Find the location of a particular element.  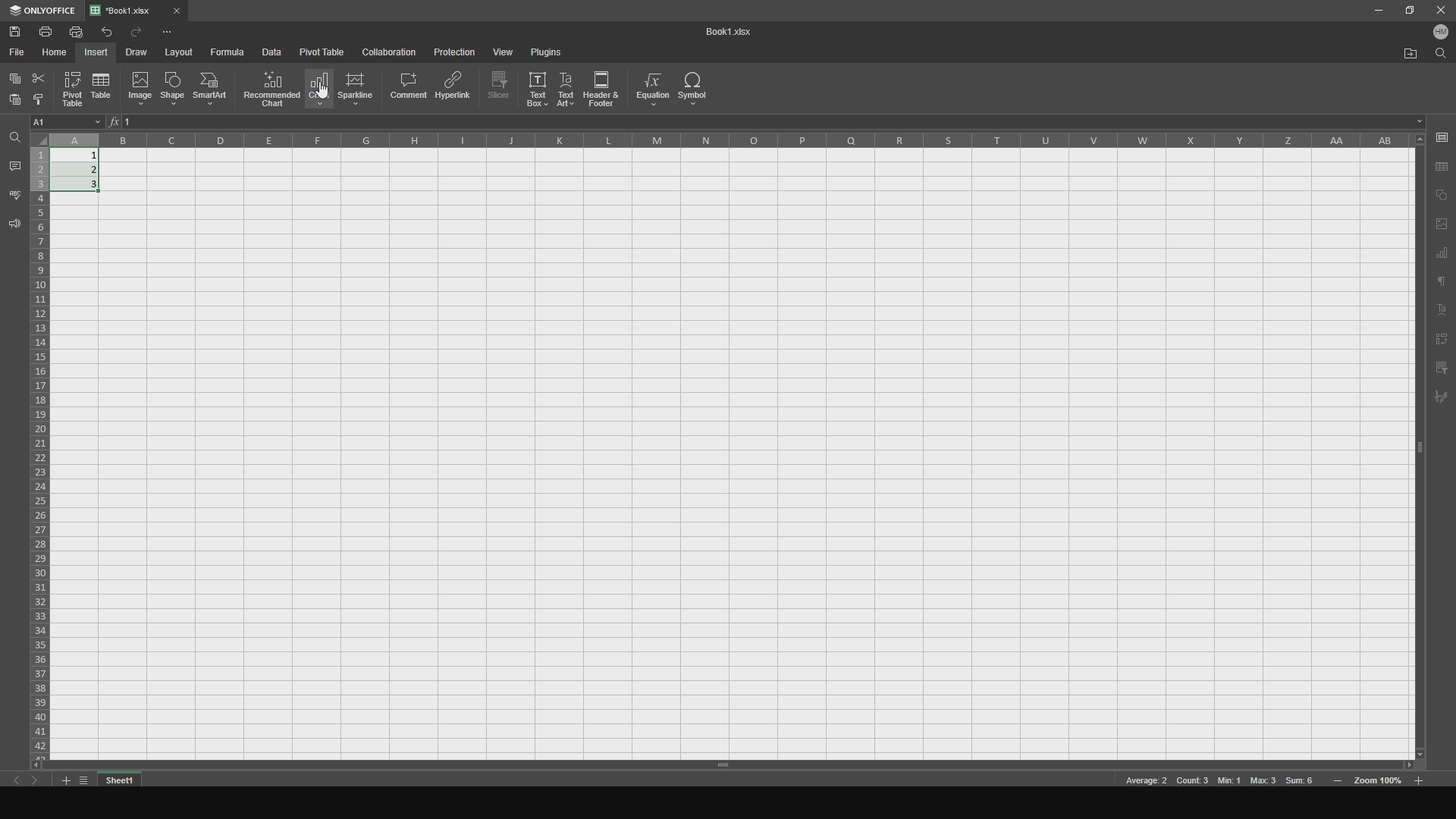

open file location is located at coordinates (1405, 52).